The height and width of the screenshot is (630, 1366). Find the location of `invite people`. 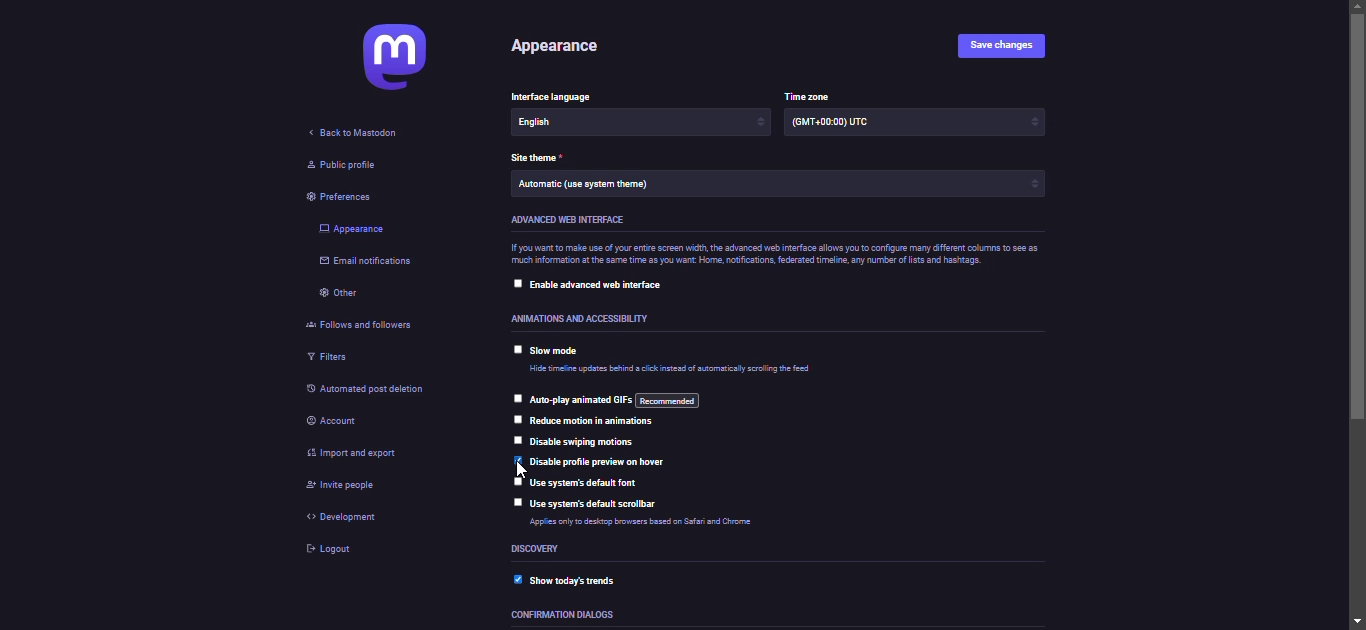

invite people is located at coordinates (349, 488).